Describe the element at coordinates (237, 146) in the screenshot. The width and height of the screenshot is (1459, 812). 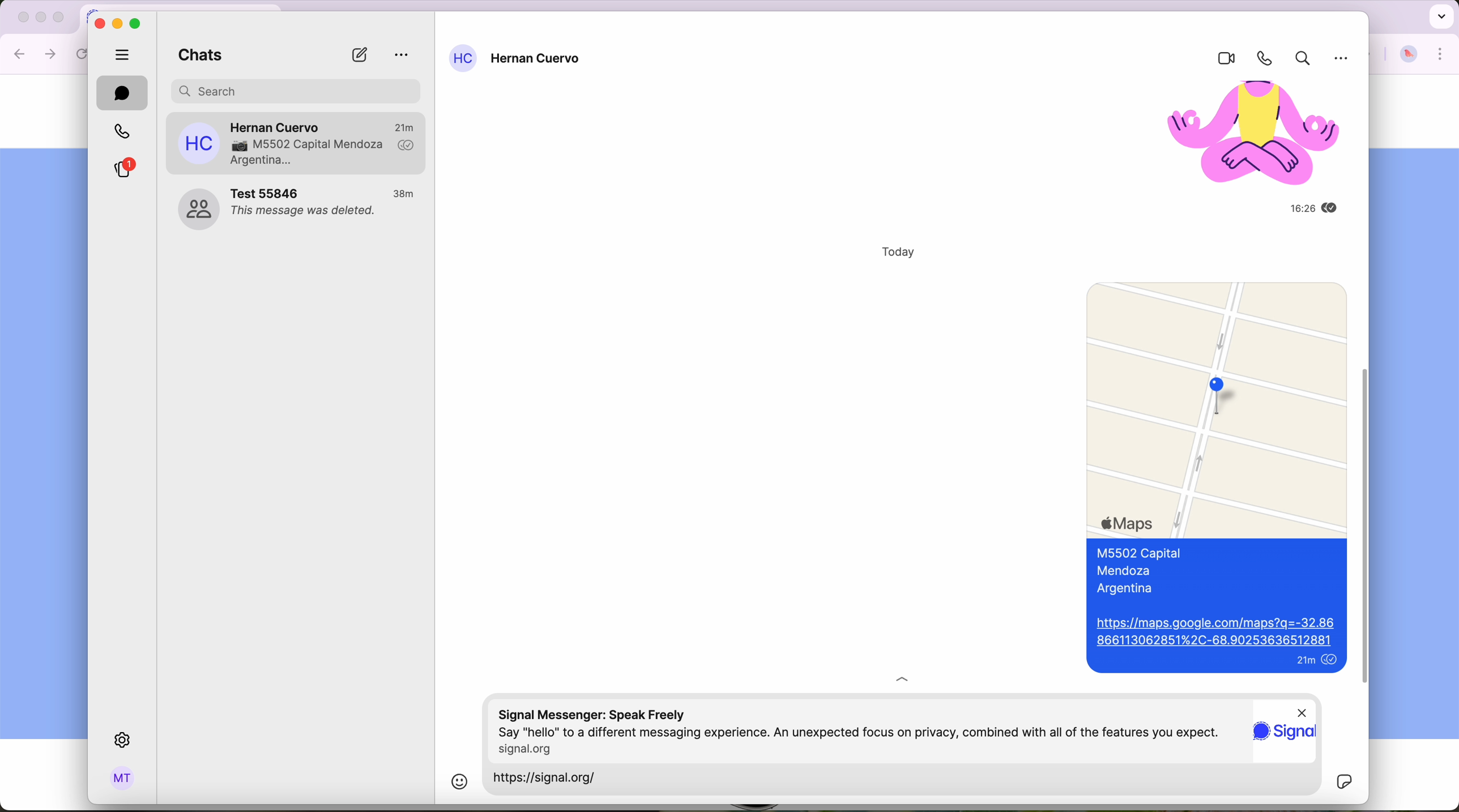
I see `camera emoji` at that location.